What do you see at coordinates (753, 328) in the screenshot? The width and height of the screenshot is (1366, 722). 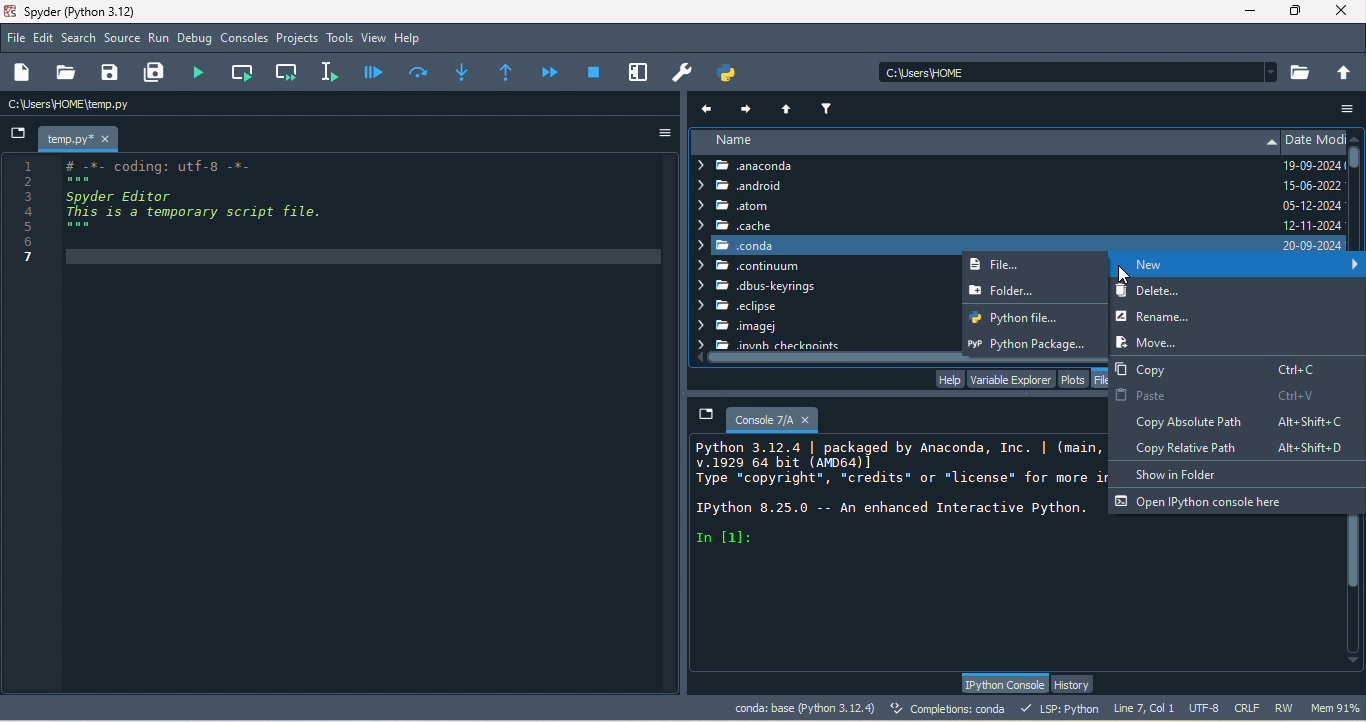 I see `imagej` at bounding box center [753, 328].